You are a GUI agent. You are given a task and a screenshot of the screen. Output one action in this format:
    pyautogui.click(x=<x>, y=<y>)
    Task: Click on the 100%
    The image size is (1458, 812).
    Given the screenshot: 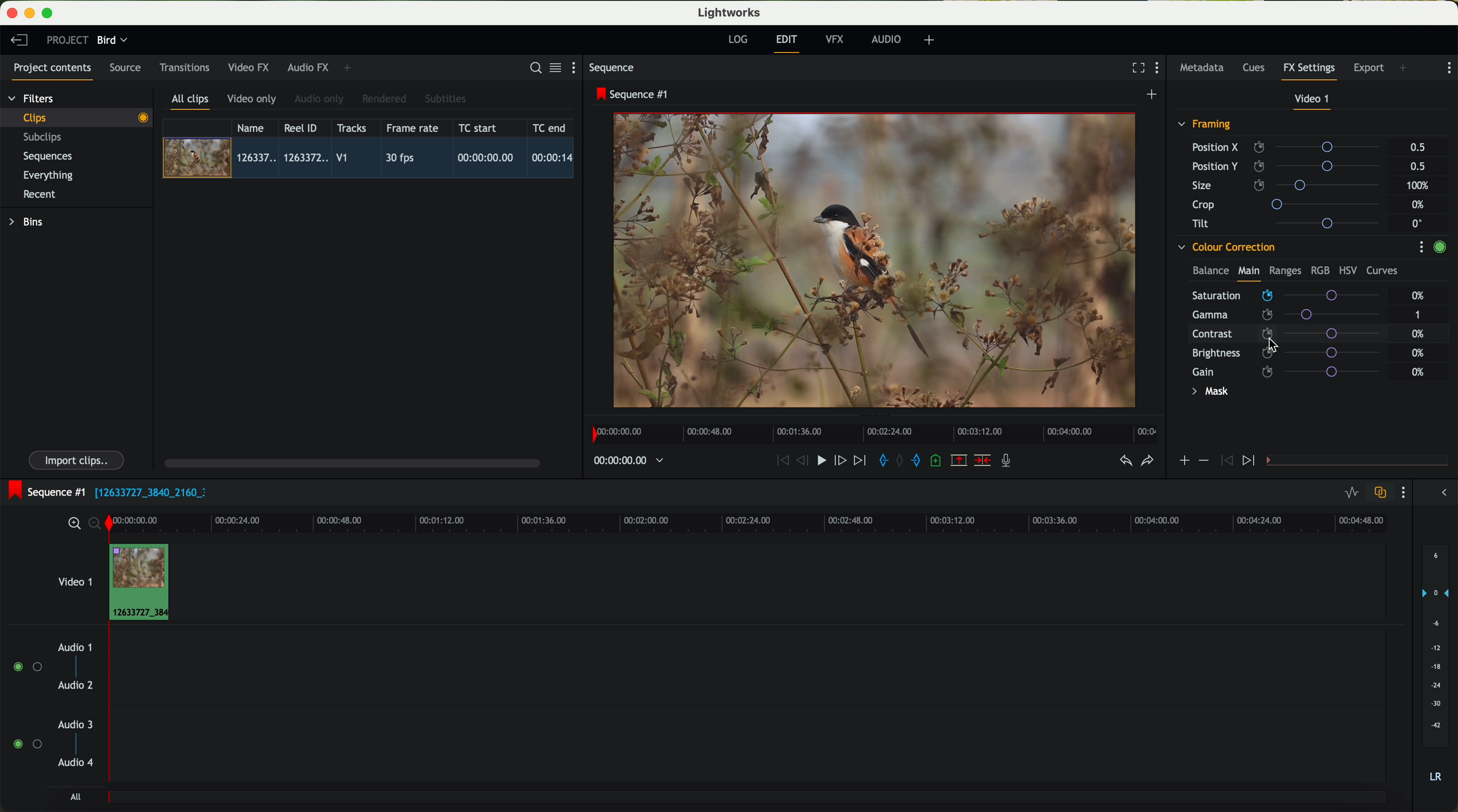 What is the action you would take?
    pyautogui.click(x=1421, y=186)
    